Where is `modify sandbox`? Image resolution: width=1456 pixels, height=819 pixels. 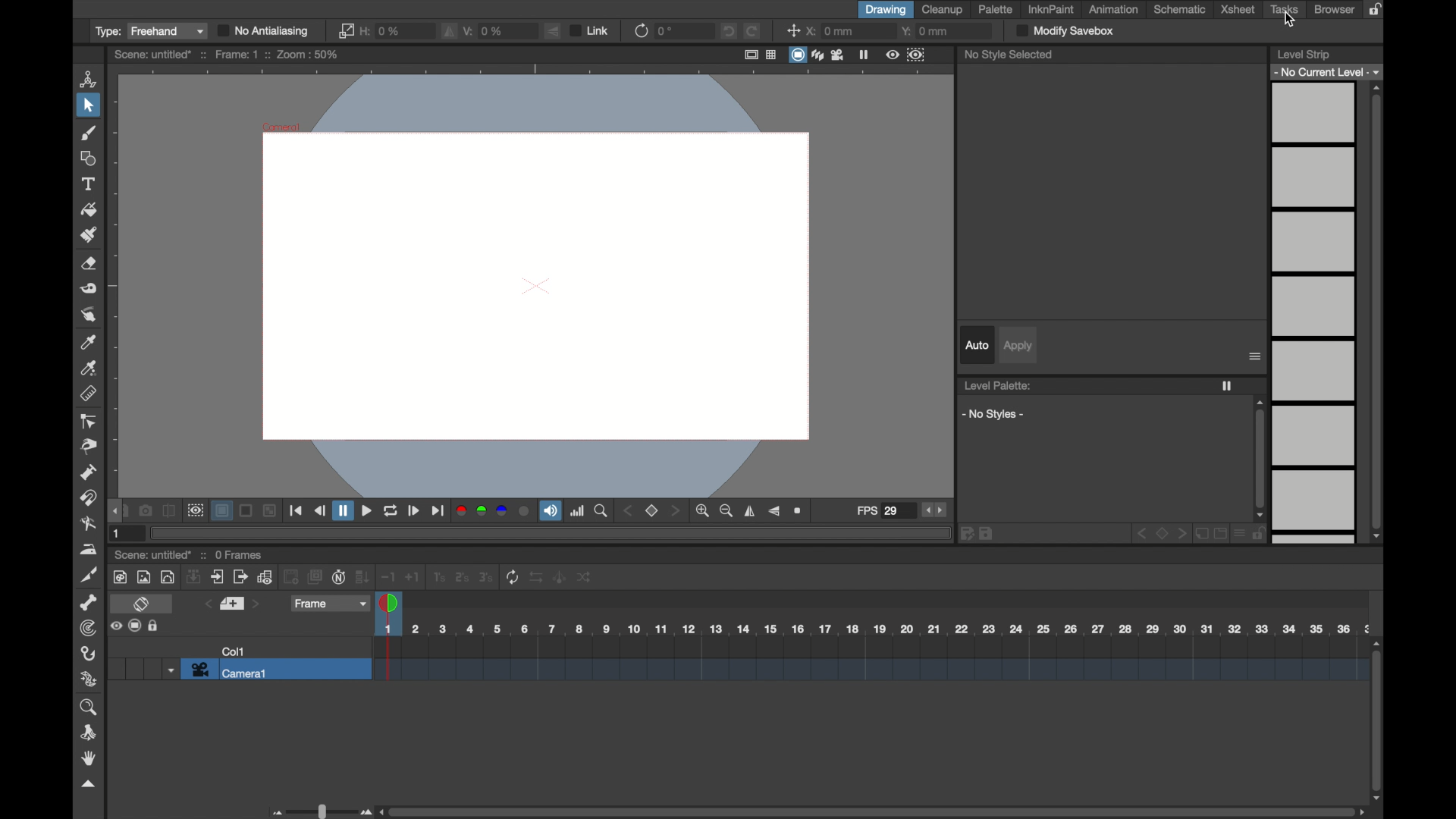
modify sandbox is located at coordinates (1066, 31).